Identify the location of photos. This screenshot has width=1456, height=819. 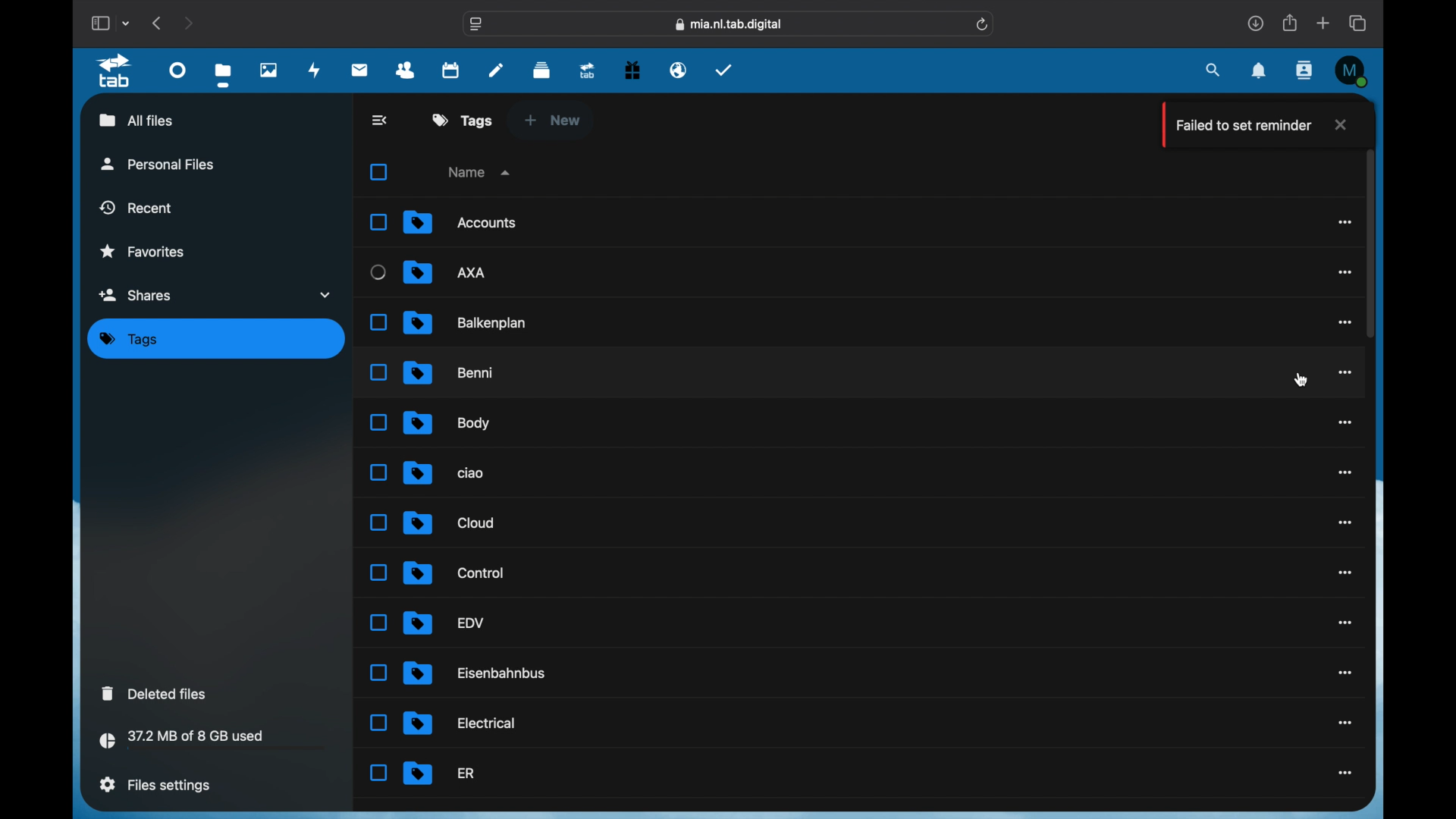
(269, 69).